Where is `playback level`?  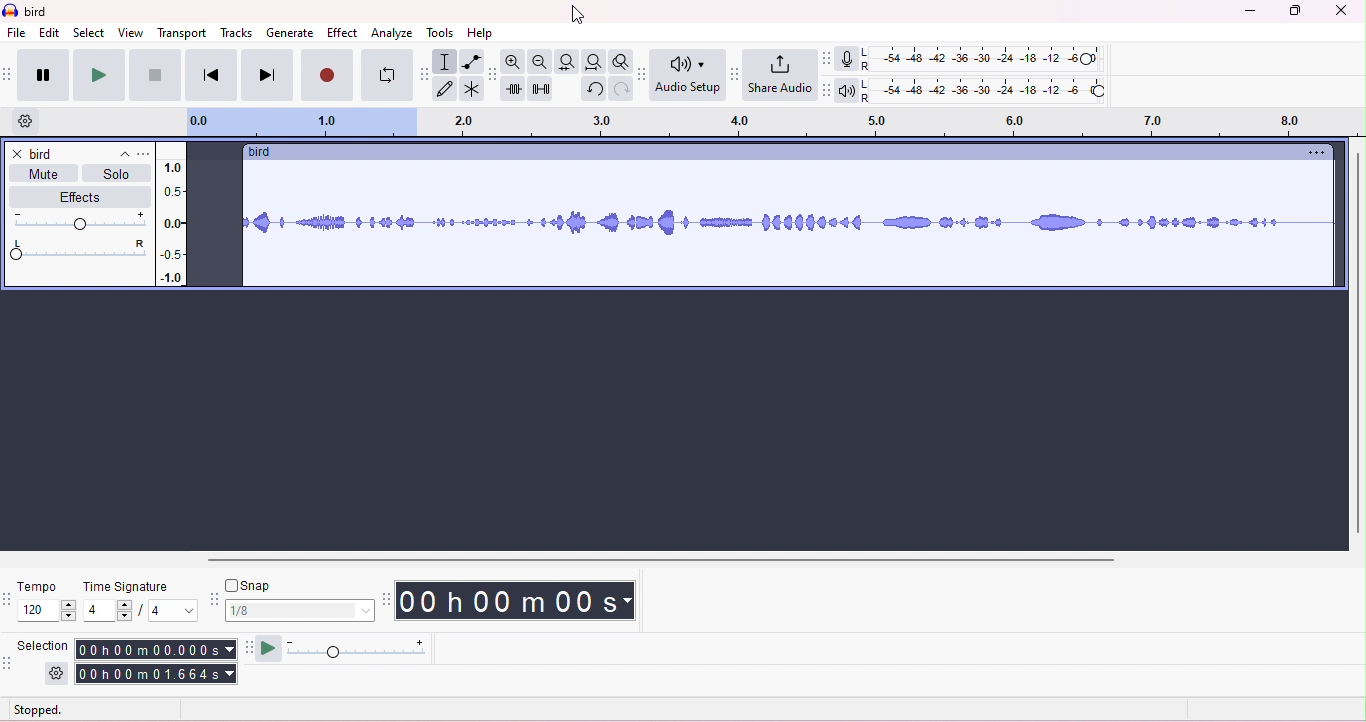
playback level is located at coordinates (983, 93).